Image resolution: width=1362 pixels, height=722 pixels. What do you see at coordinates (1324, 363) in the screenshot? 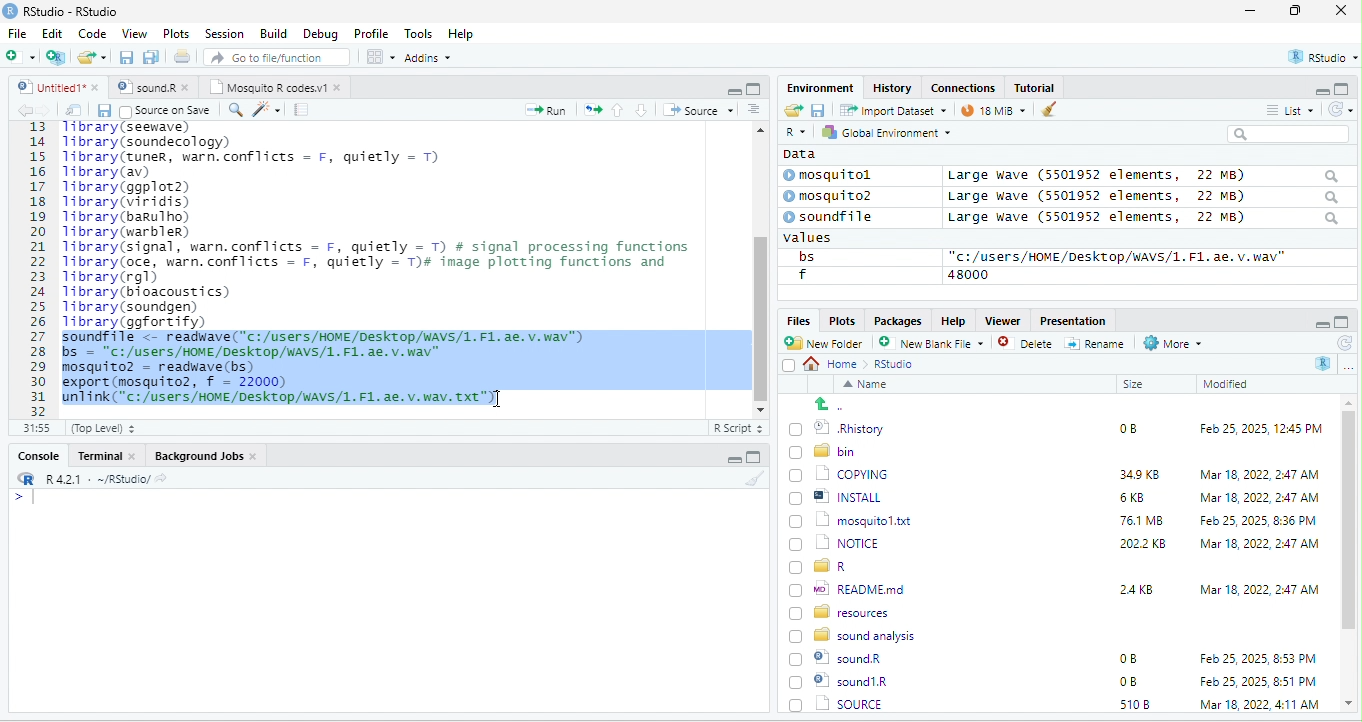
I see `R` at bounding box center [1324, 363].